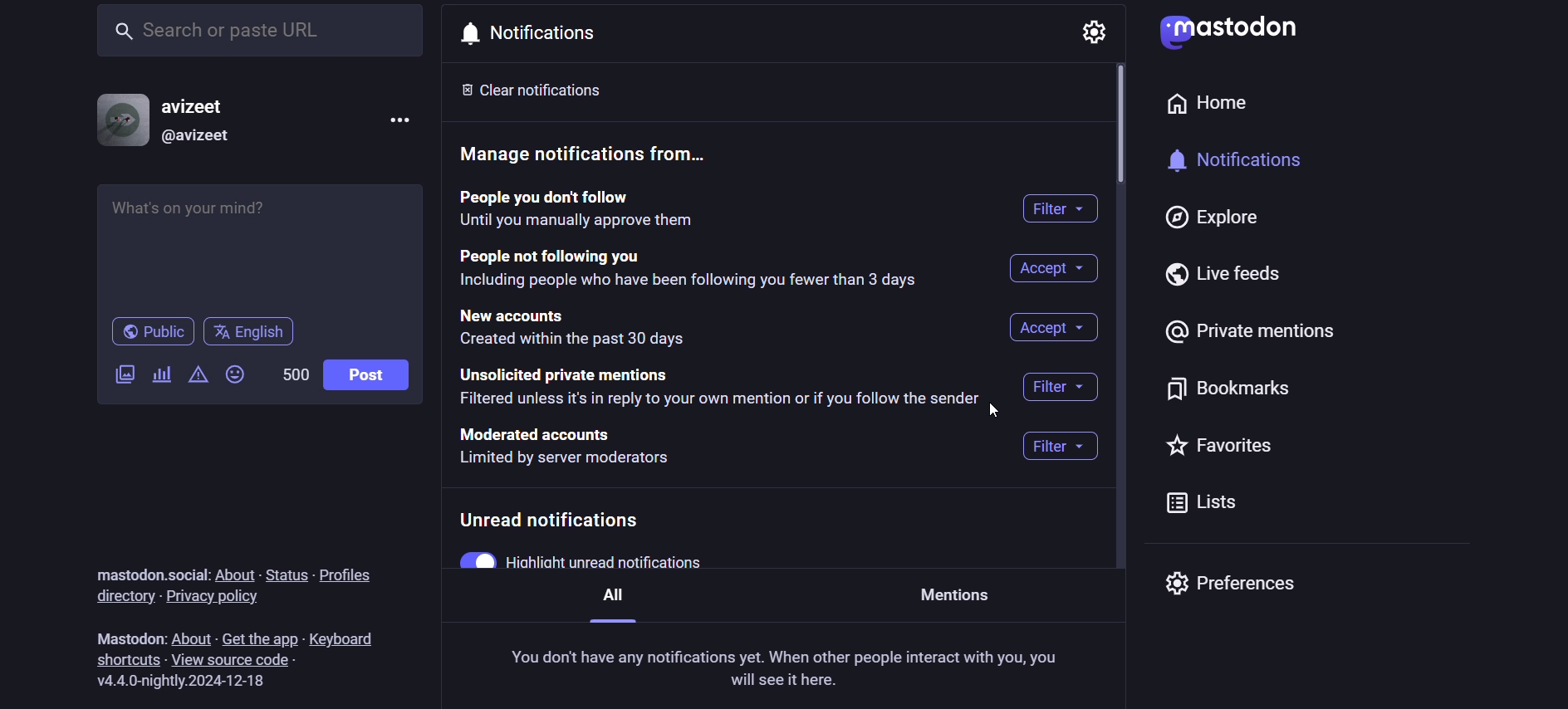  I want to click on Whats on your mind?, so click(255, 242).